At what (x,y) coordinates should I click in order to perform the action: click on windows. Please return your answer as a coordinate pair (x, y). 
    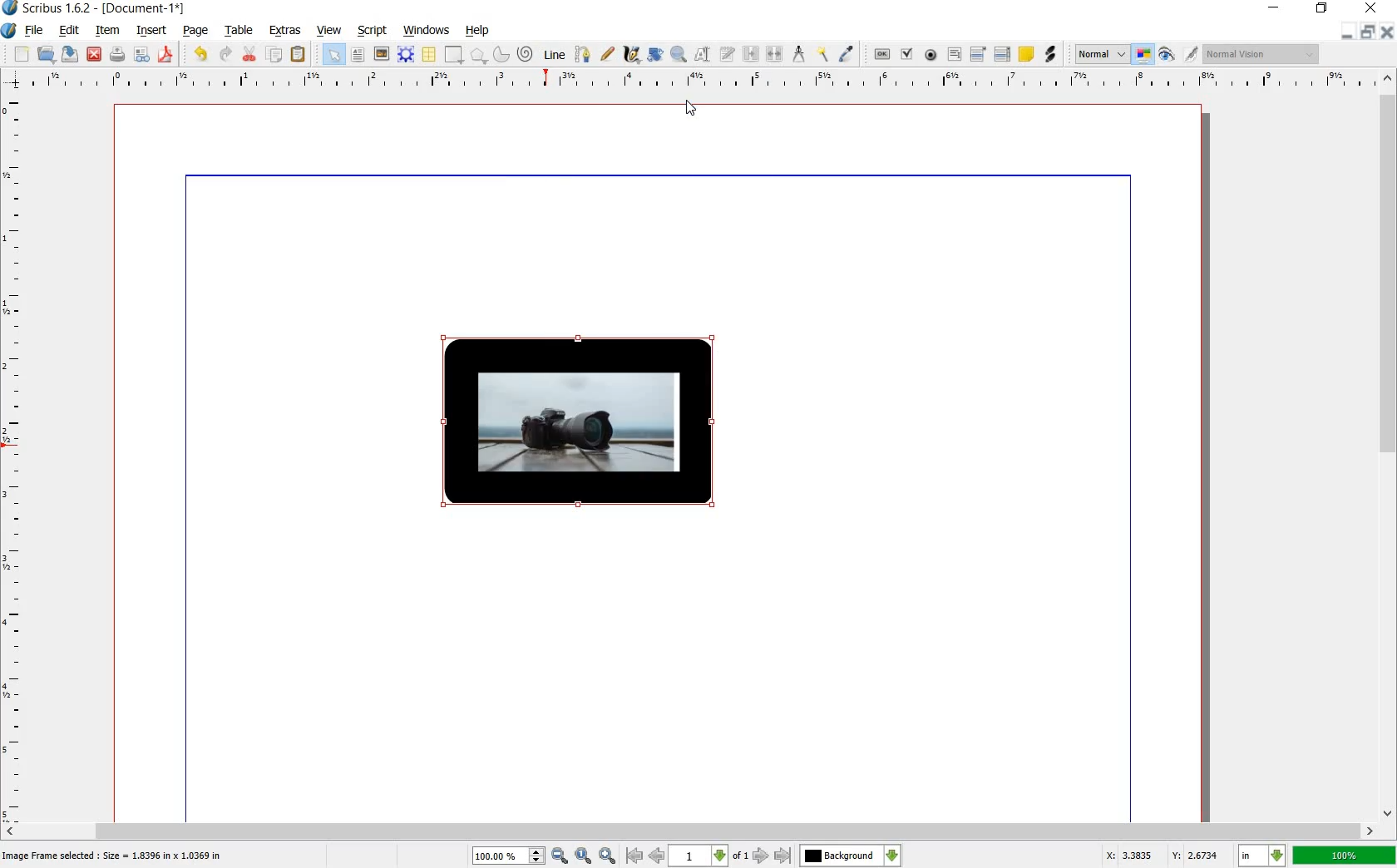
    Looking at the image, I should click on (425, 28).